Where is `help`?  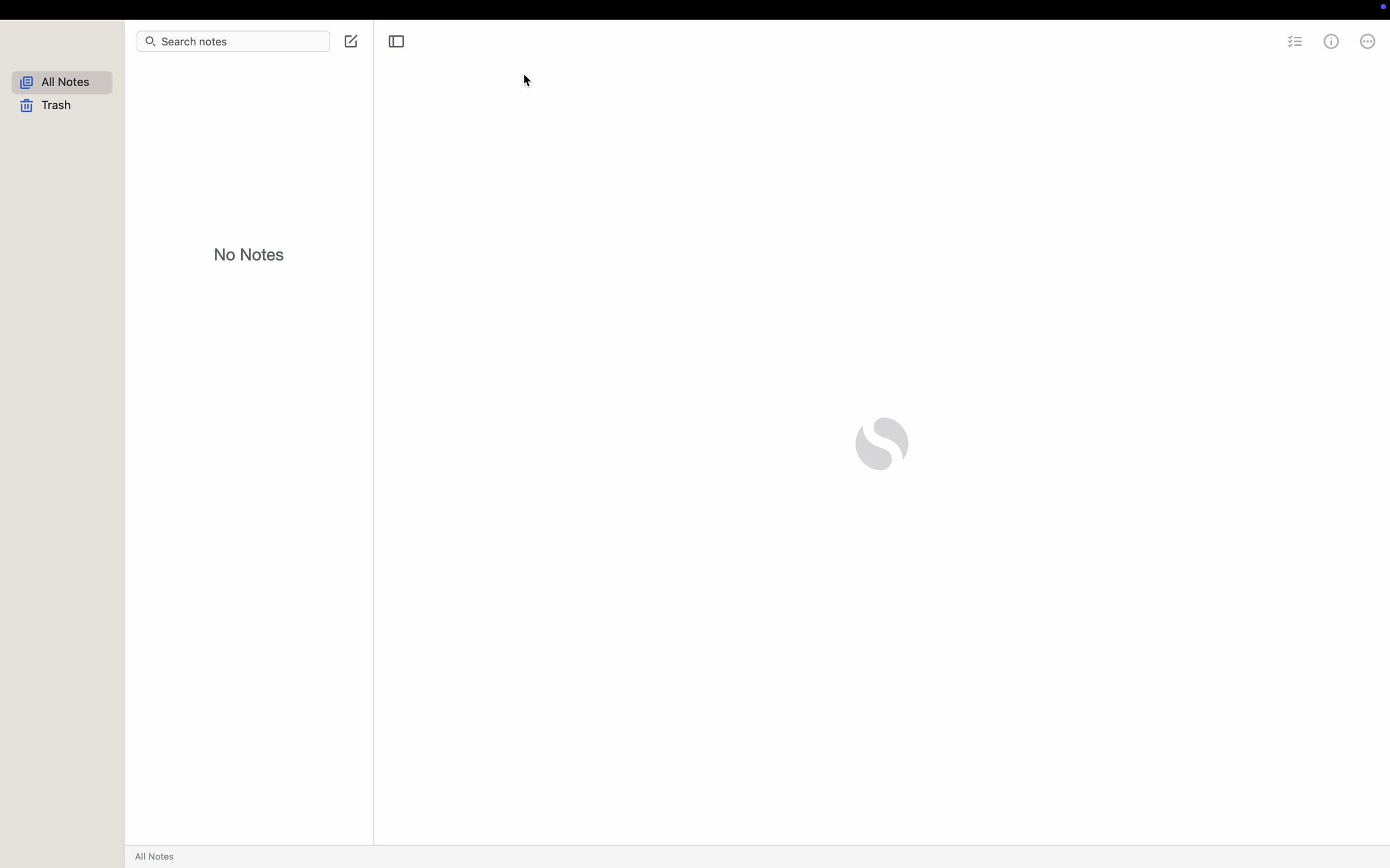
help is located at coordinates (1353, 42).